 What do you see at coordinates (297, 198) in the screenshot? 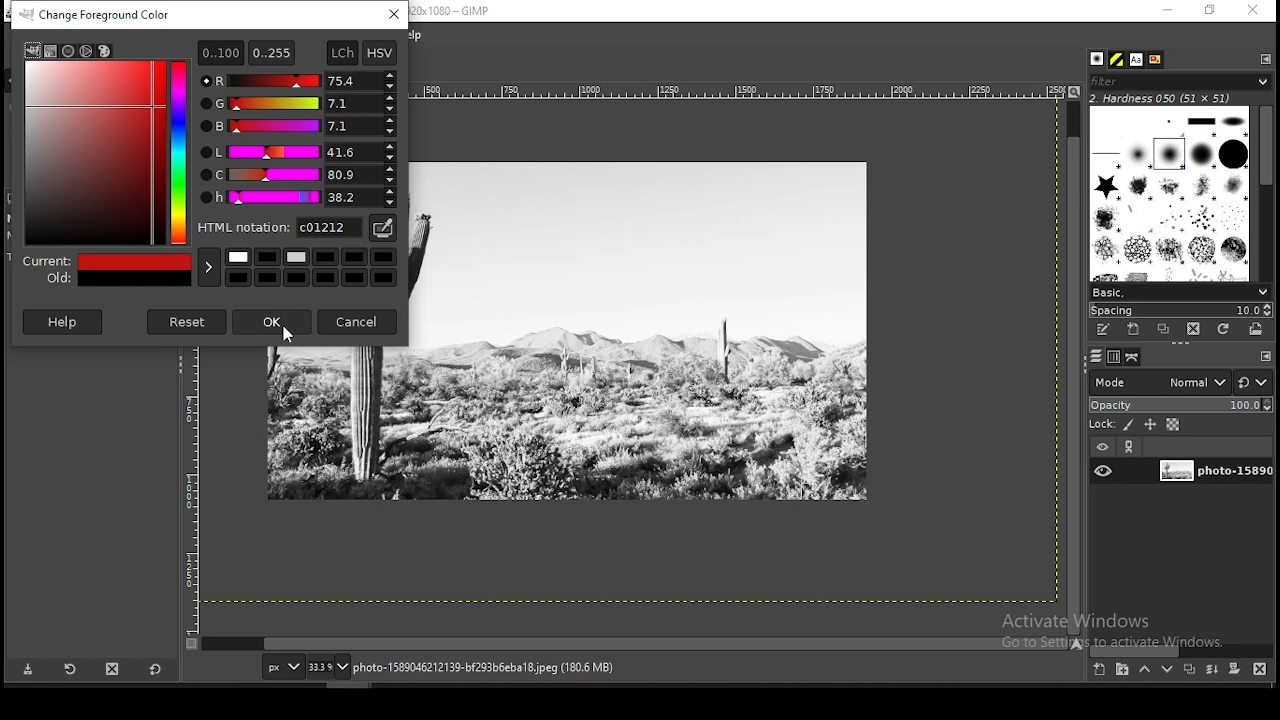
I see `lch hue` at bounding box center [297, 198].